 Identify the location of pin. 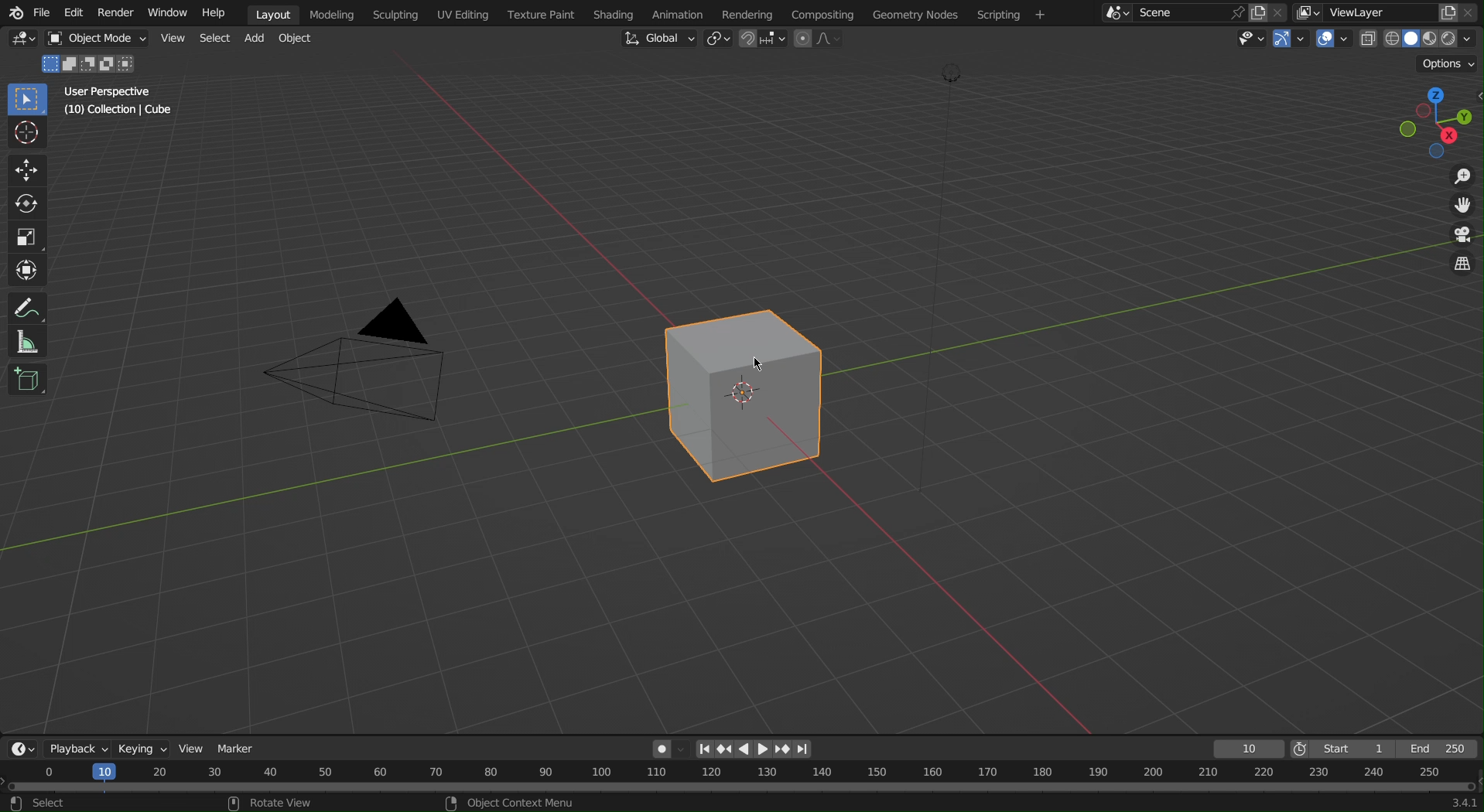
(1234, 12).